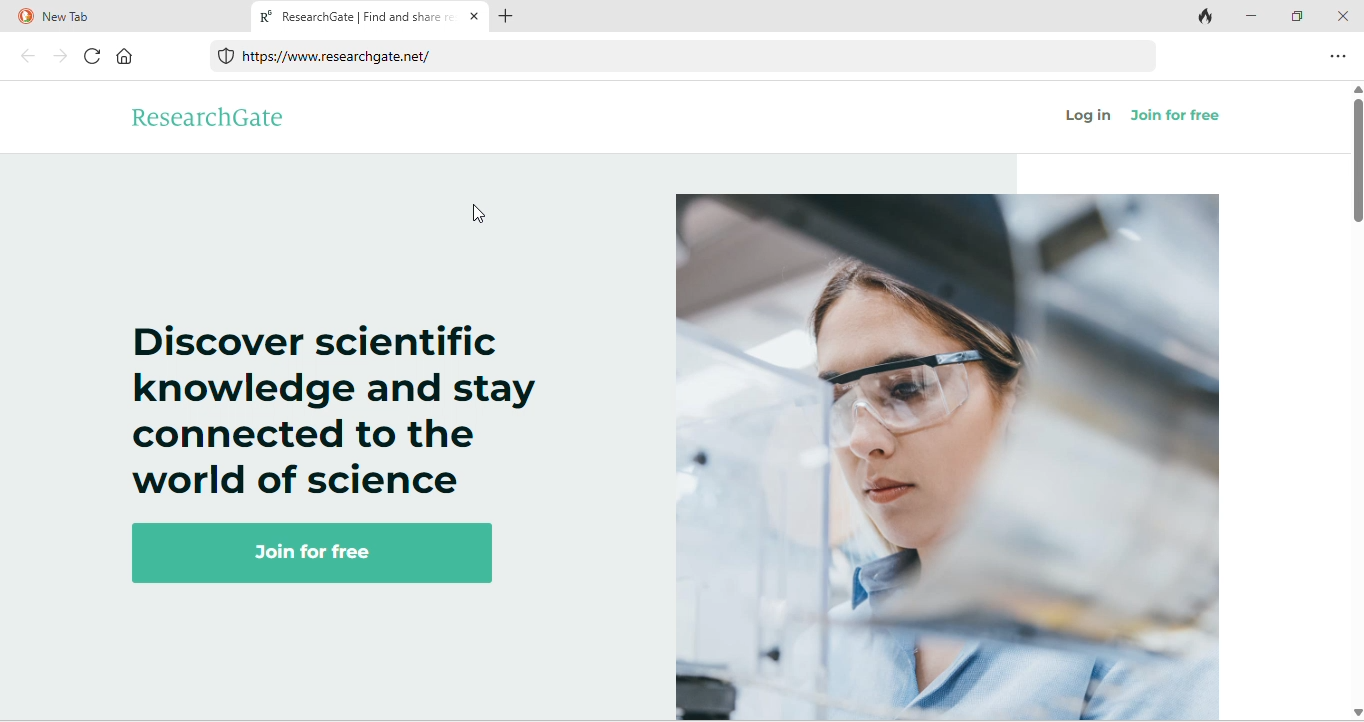 Image resolution: width=1364 pixels, height=722 pixels. Describe the element at coordinates (134, 59) in the screenshot. I see `home` at that location.